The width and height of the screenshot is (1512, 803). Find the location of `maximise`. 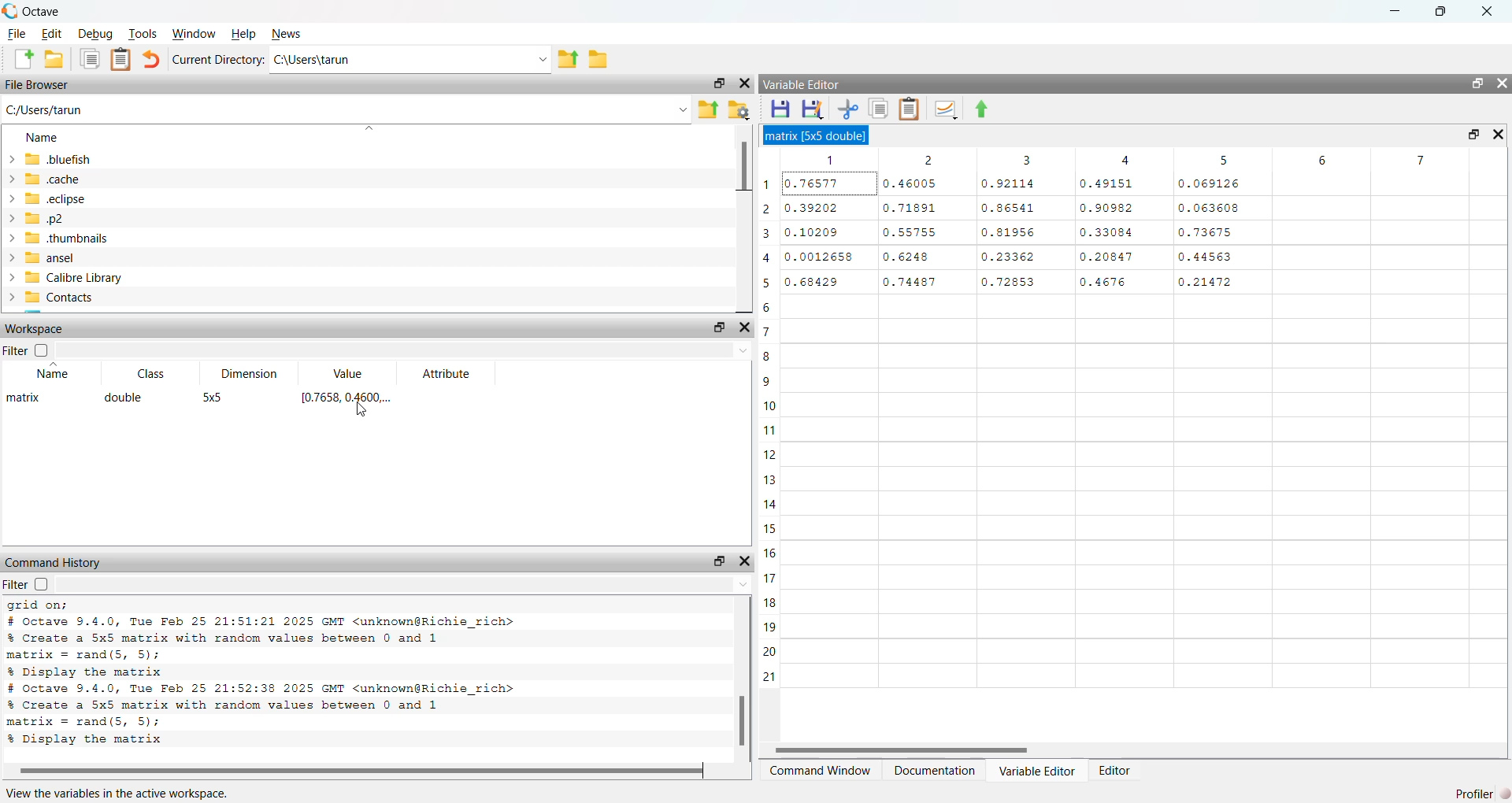

maximise is located at coordinates (1476, 83).